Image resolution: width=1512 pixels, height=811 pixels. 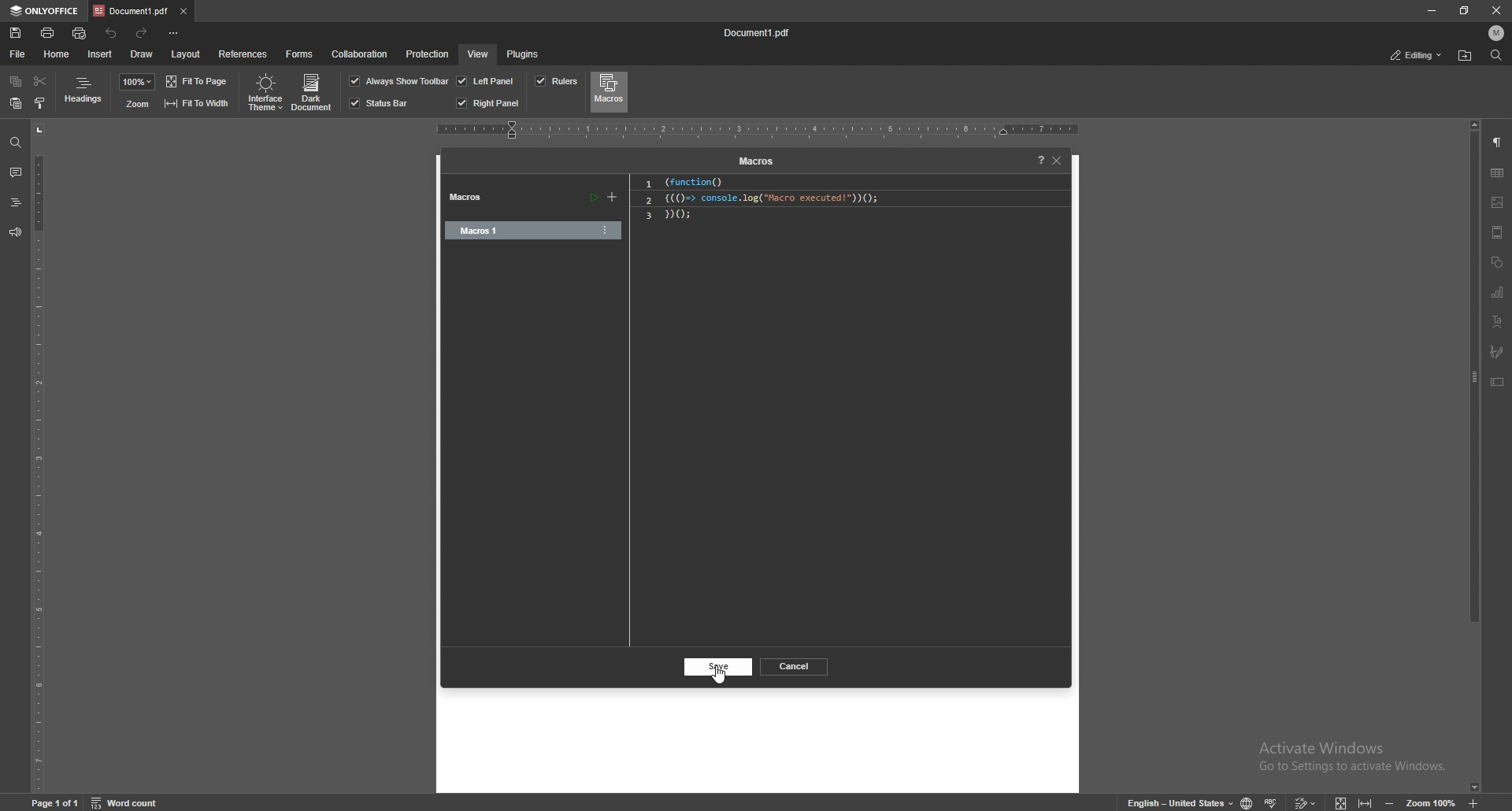 I want to click on resize, so click(x=1464, y=11).